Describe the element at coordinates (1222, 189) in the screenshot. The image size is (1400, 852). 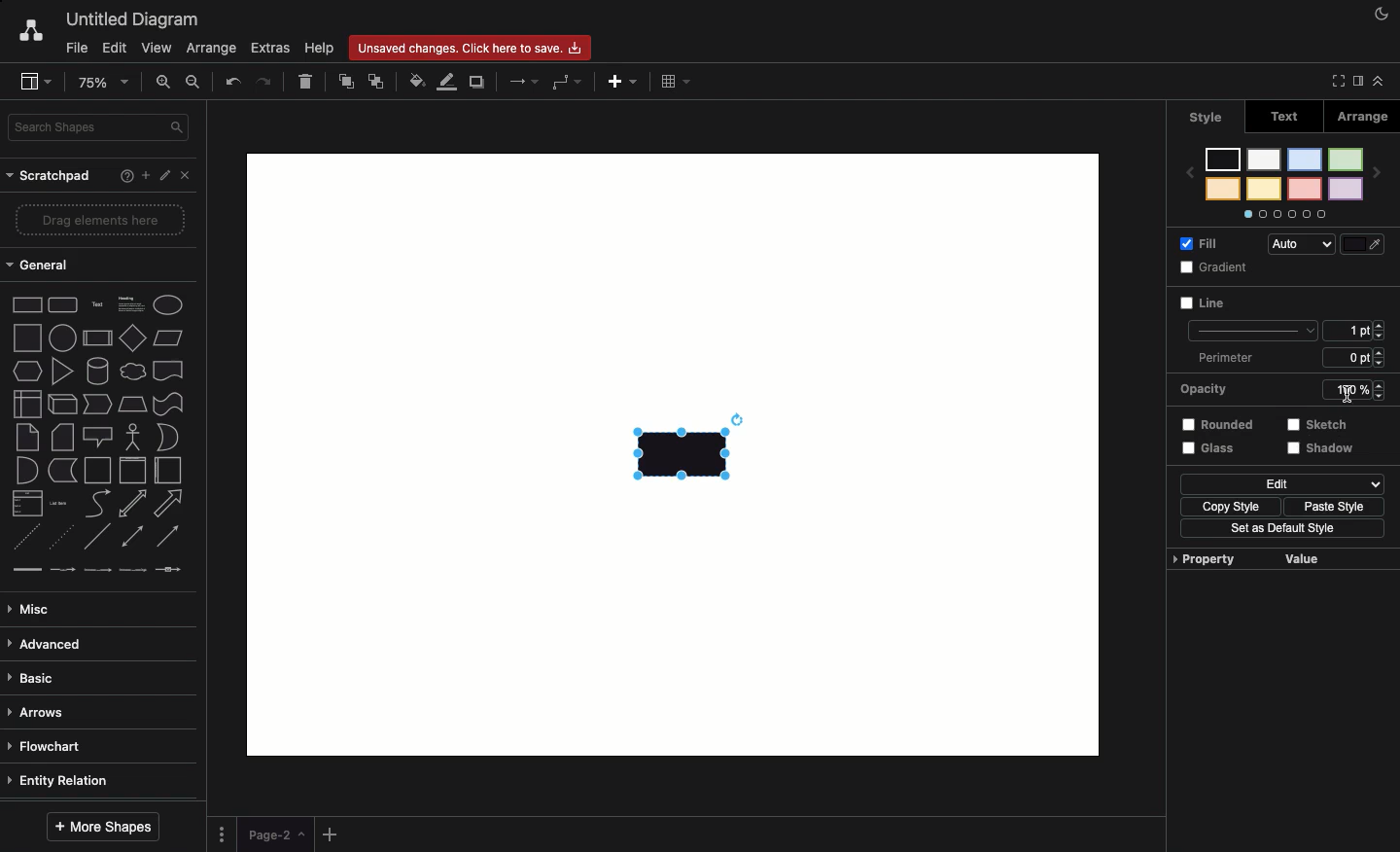
I see `color 8` at that location.